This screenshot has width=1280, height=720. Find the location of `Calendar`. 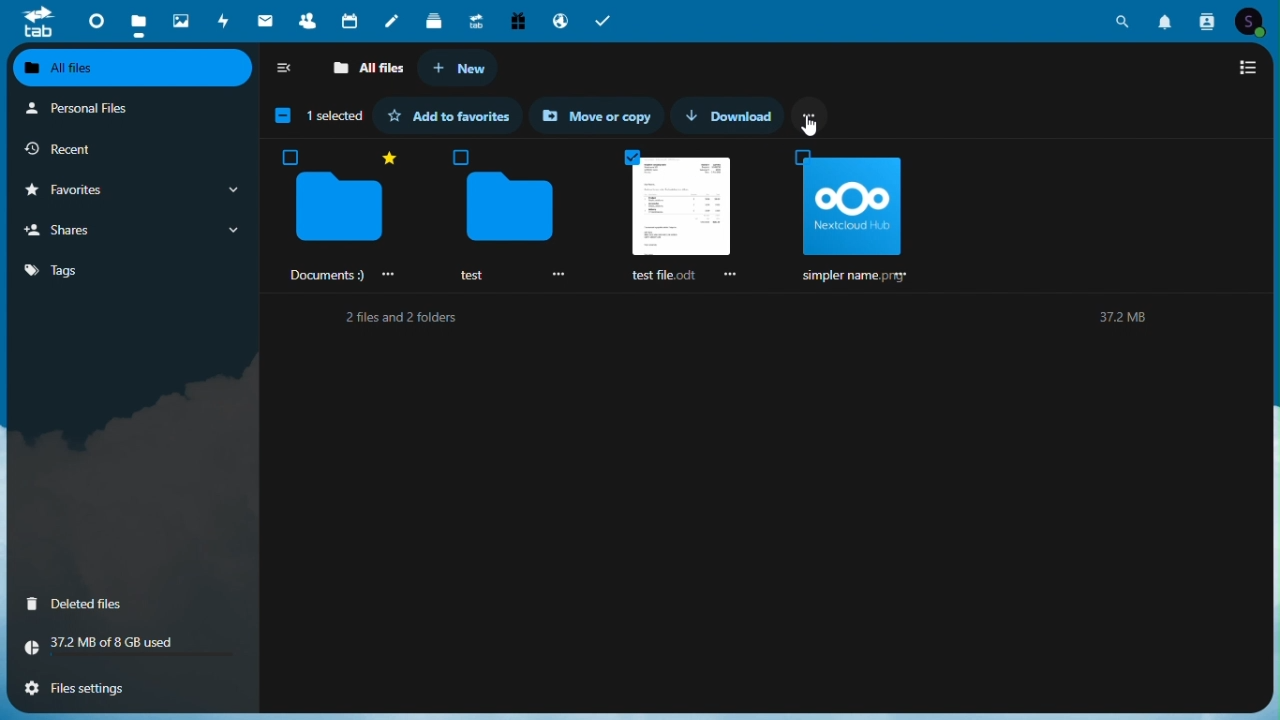

Calendar is located at coordinates (351, 20).